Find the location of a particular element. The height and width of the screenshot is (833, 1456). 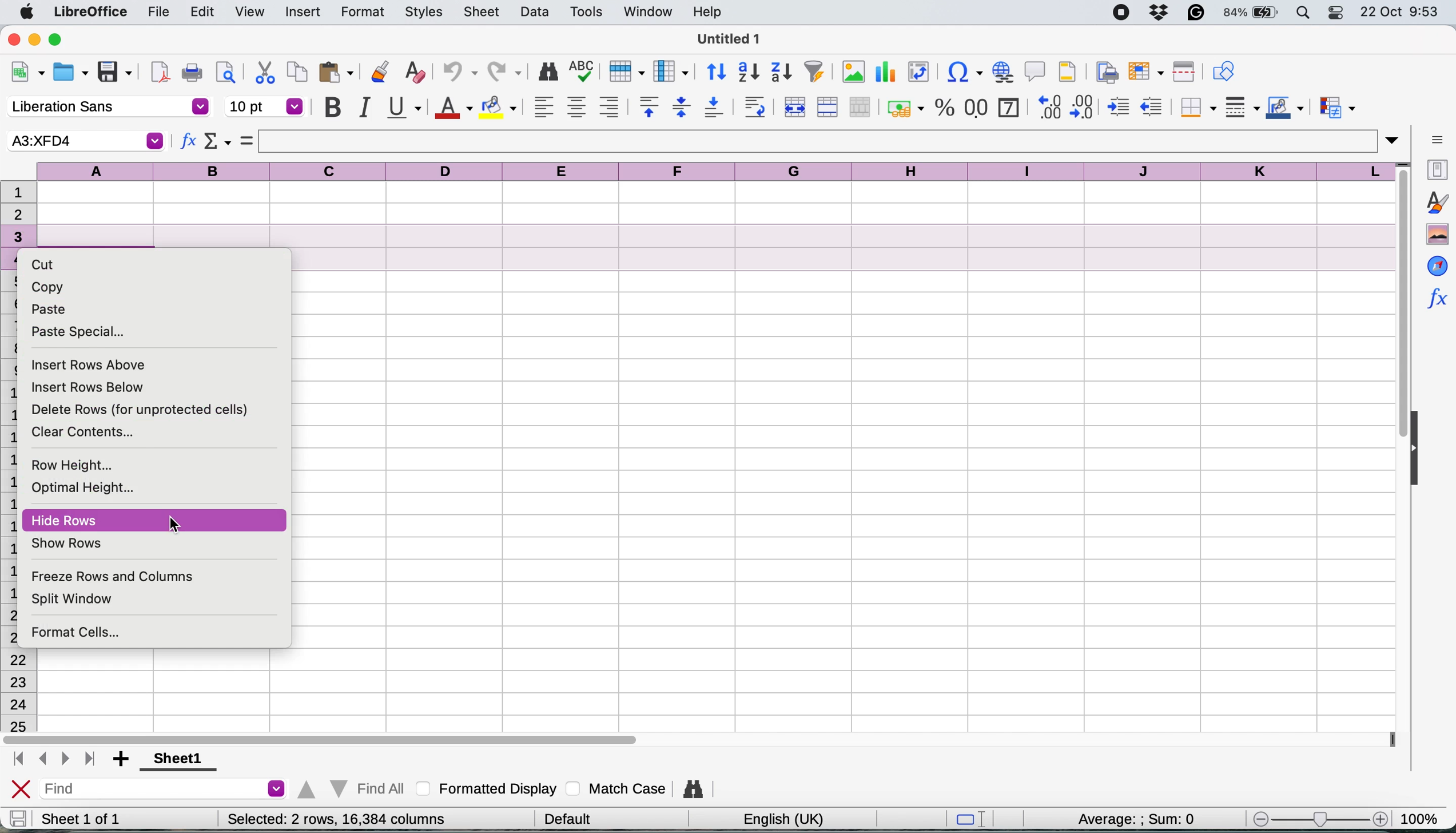

cut is located at coordinates (51, 265).